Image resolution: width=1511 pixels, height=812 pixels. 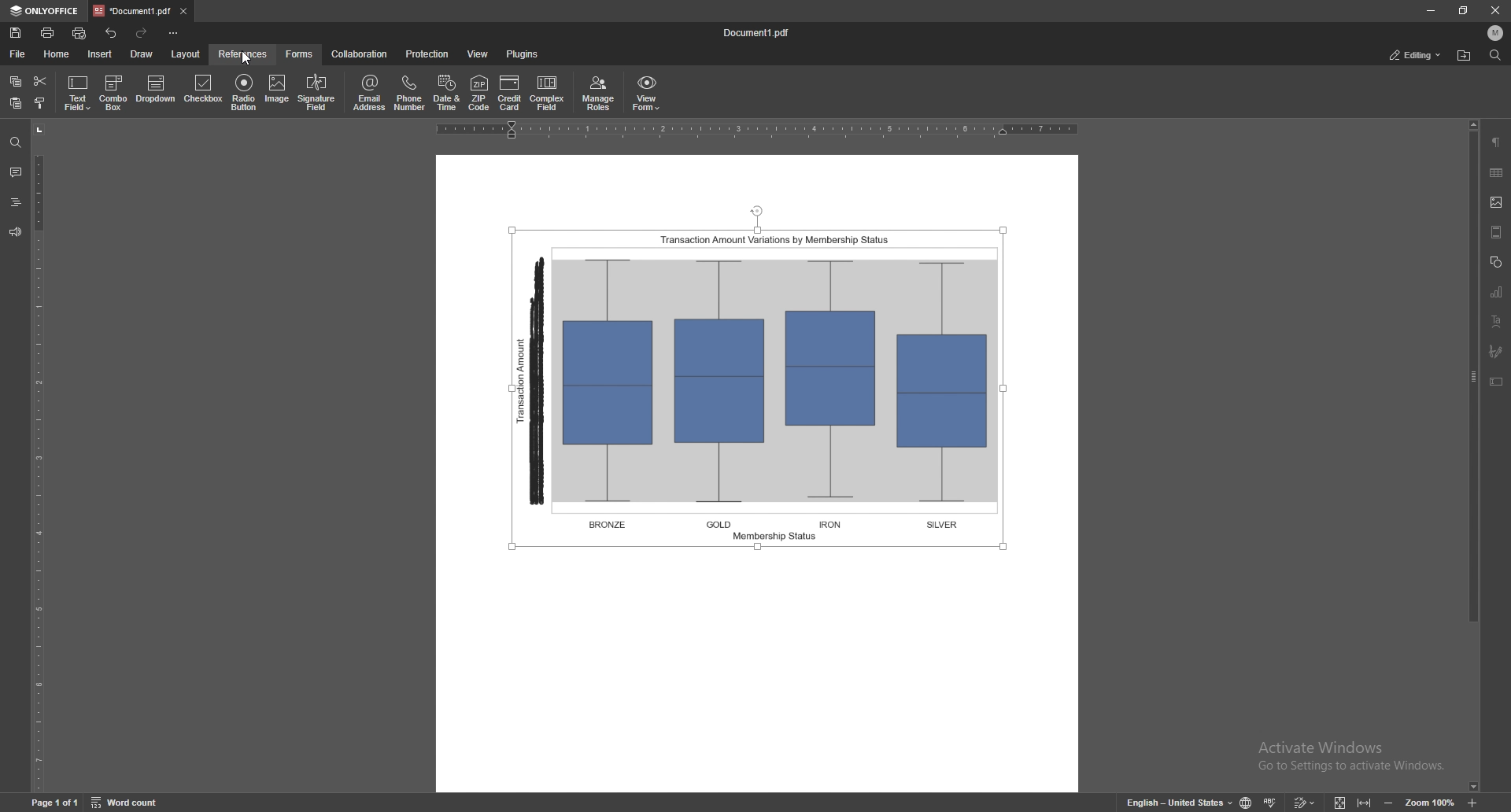 I want to click on status, so click(x=1414, y=54).